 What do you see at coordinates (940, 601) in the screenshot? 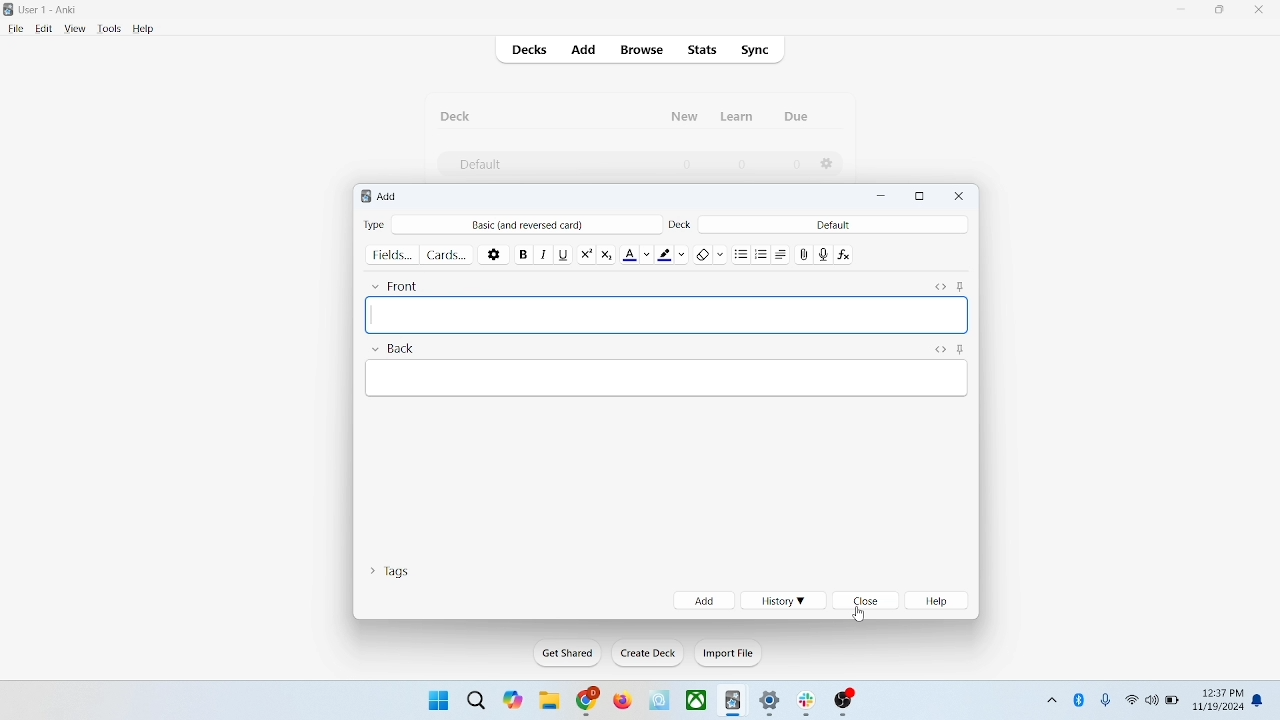
I see `help` at bounding box center [940, 601].